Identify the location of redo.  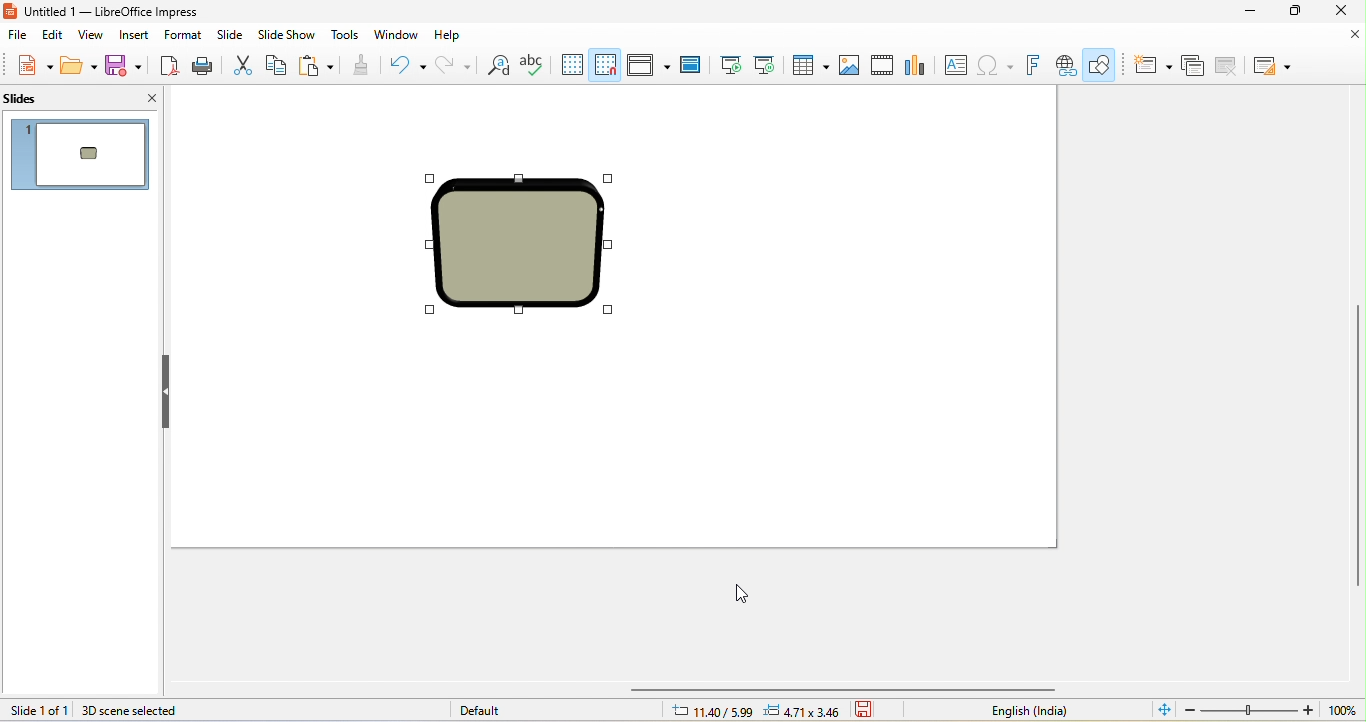
(450, 64).